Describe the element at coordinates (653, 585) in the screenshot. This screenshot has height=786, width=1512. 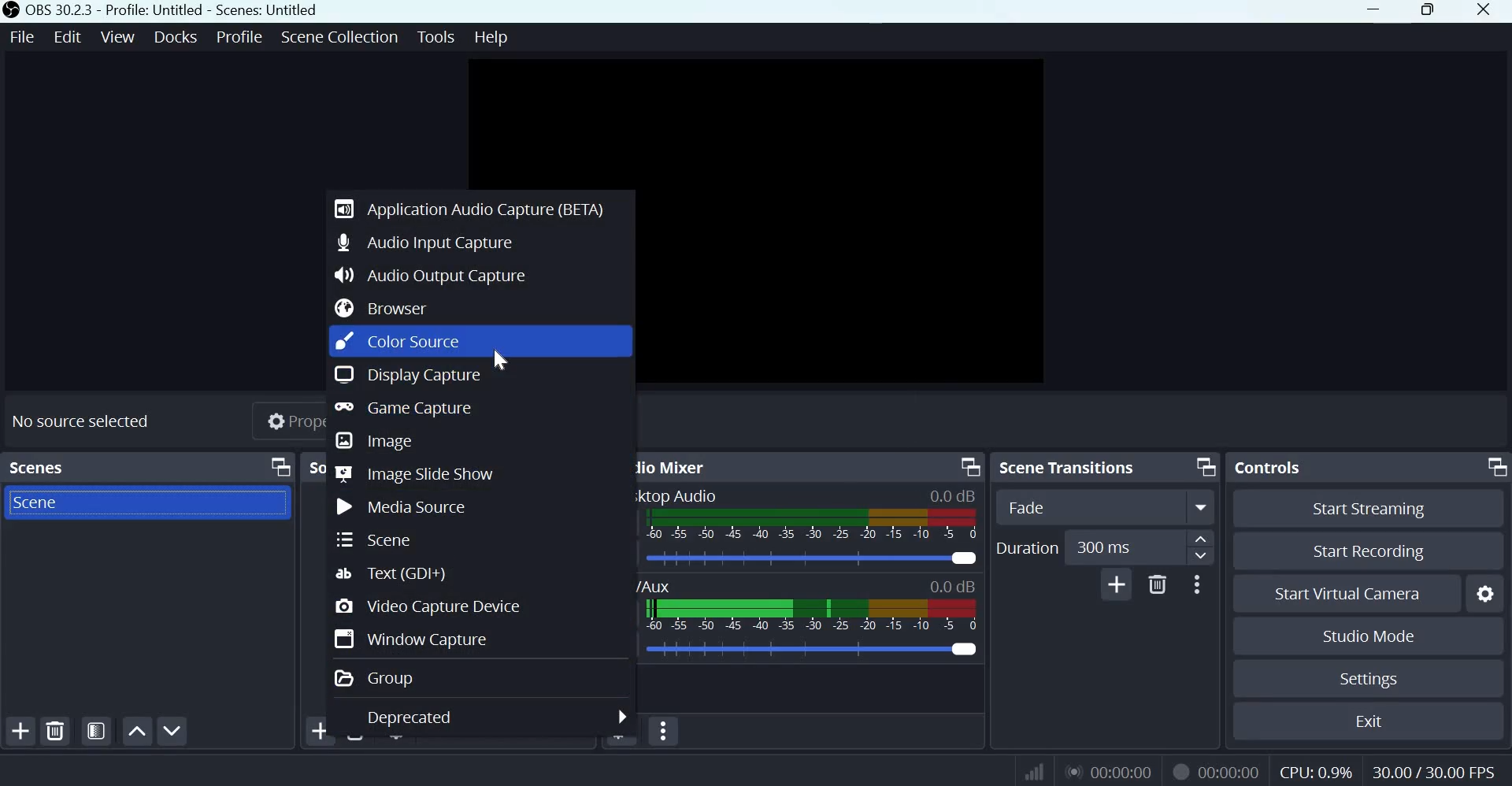
I see `Mic/Aux` at that location.